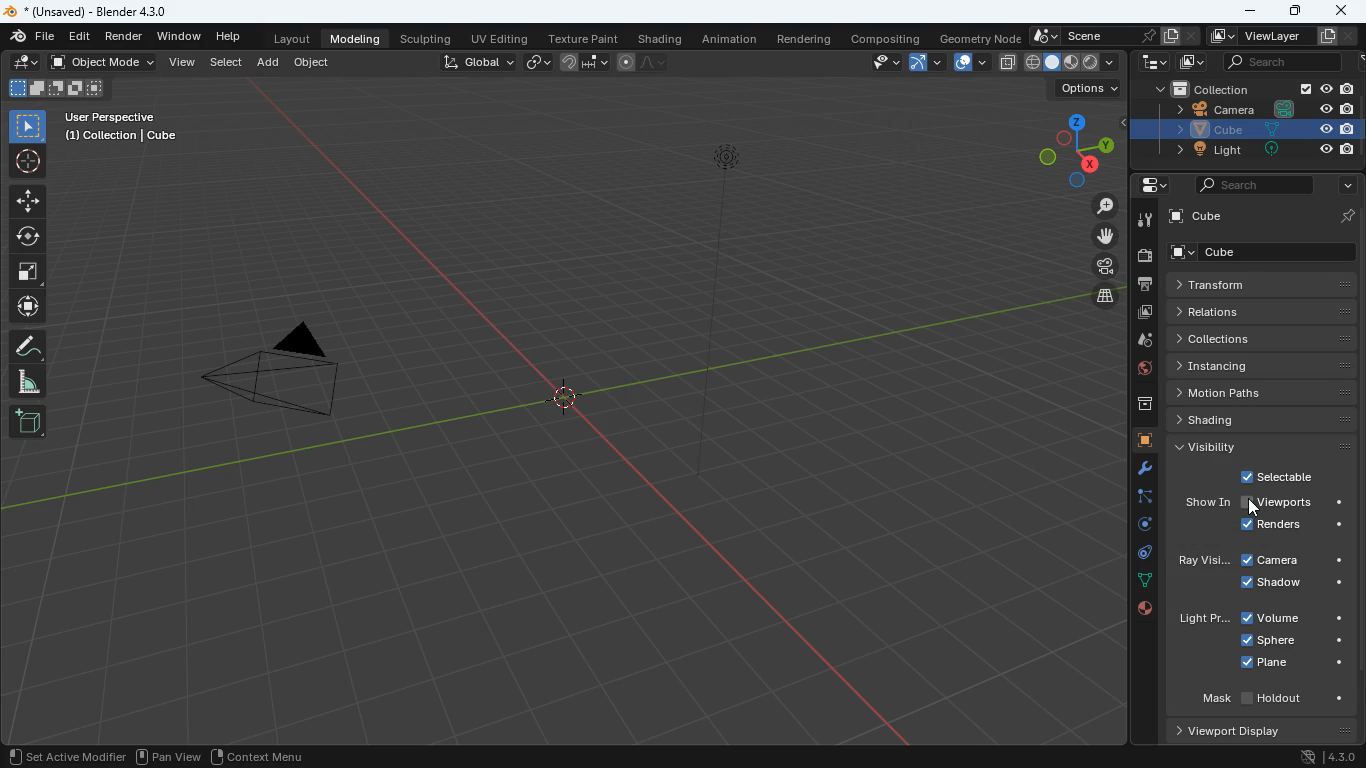  What do you see at coordinates (1102, 297) in the screenshot?
I see `layers` at bounding box center [1102, 297].